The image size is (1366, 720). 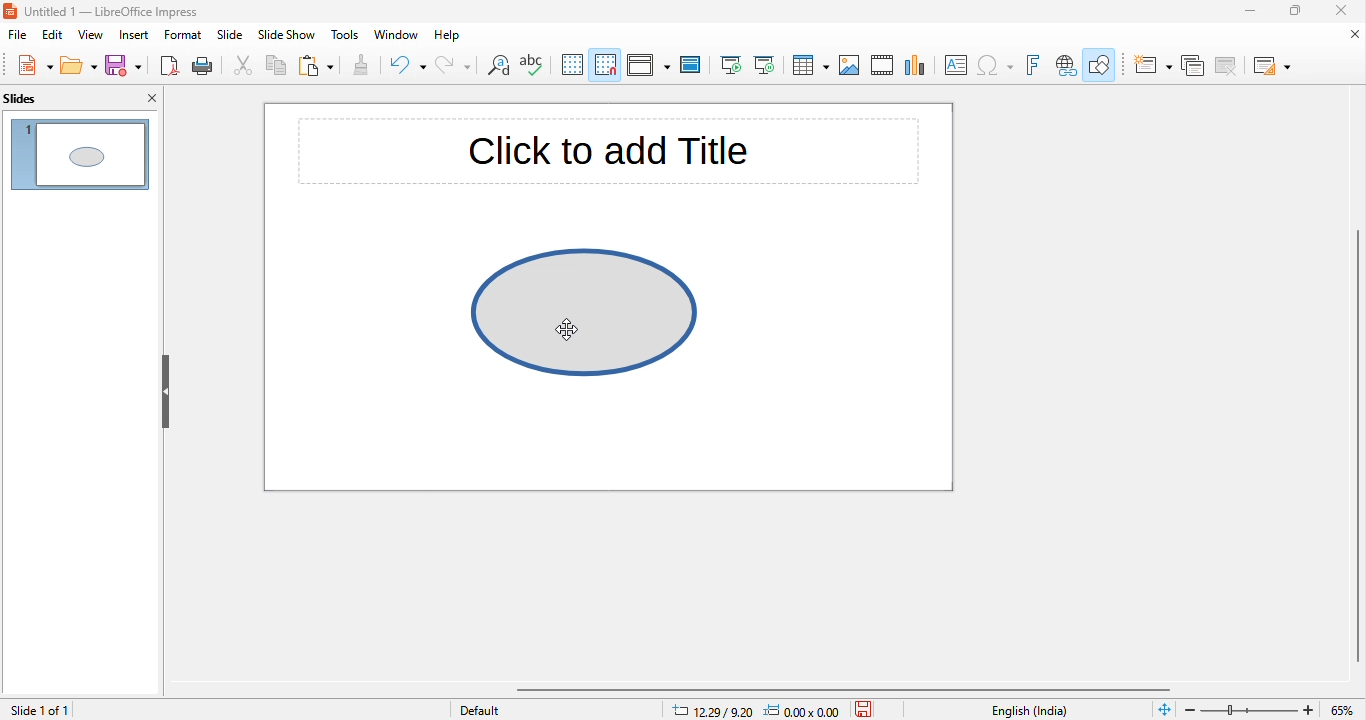 I want to click on hyperlink, so click(x=1065, y=66).